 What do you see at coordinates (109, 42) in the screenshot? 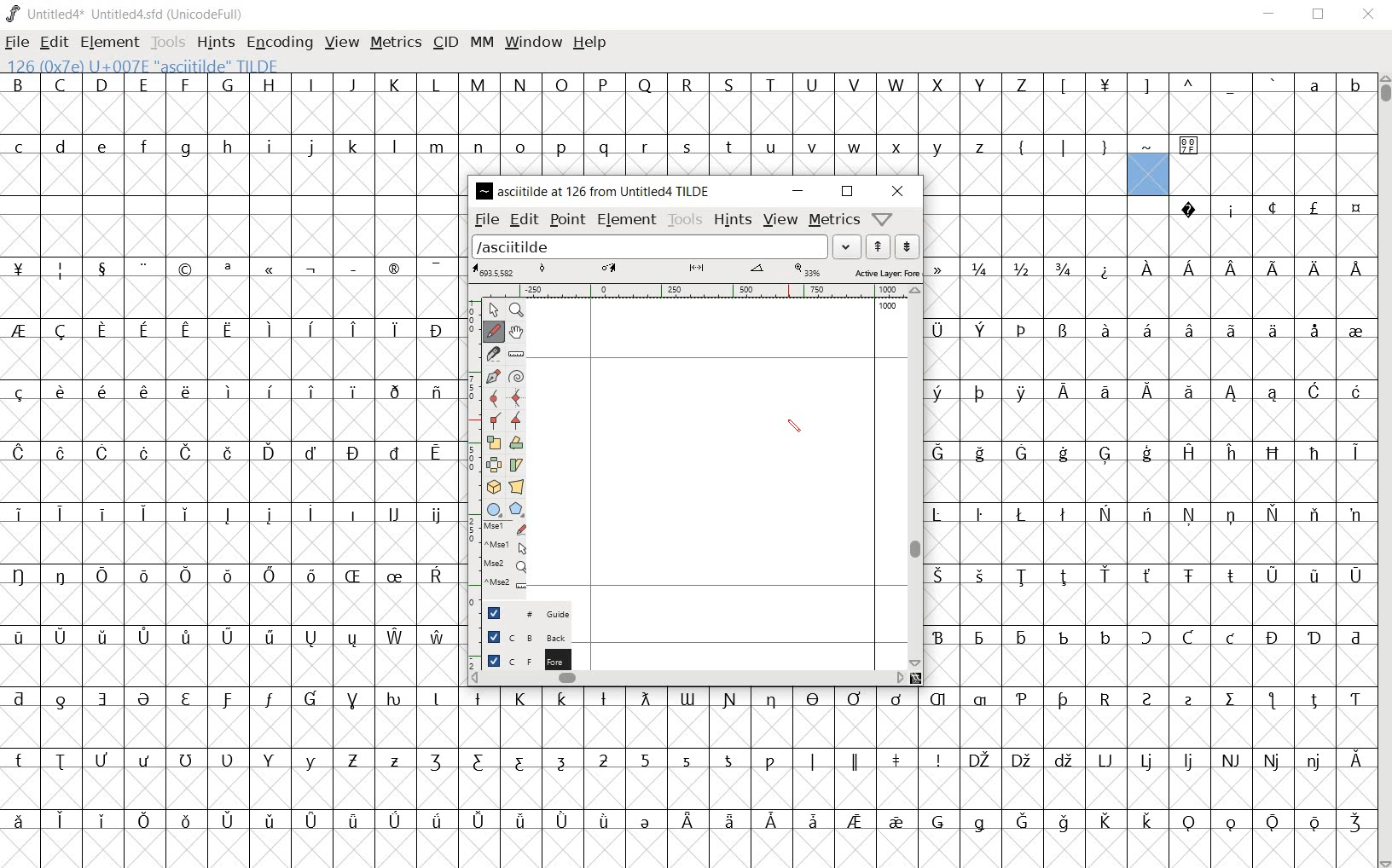
I see `ELEMENT` at bounding box center [109, 42].